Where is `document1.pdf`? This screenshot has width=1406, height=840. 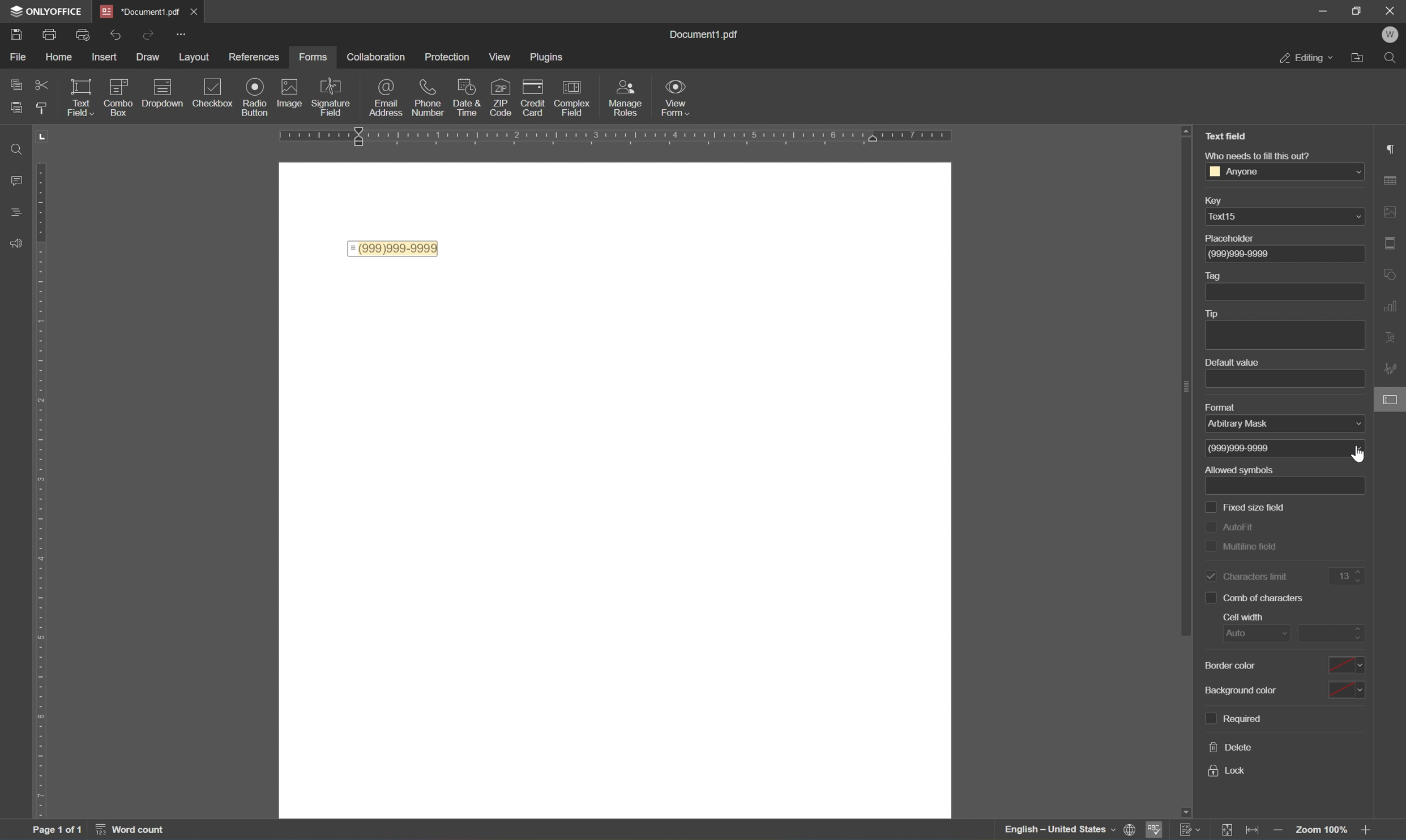
document1.pdf is located at coordinates (137, 10).